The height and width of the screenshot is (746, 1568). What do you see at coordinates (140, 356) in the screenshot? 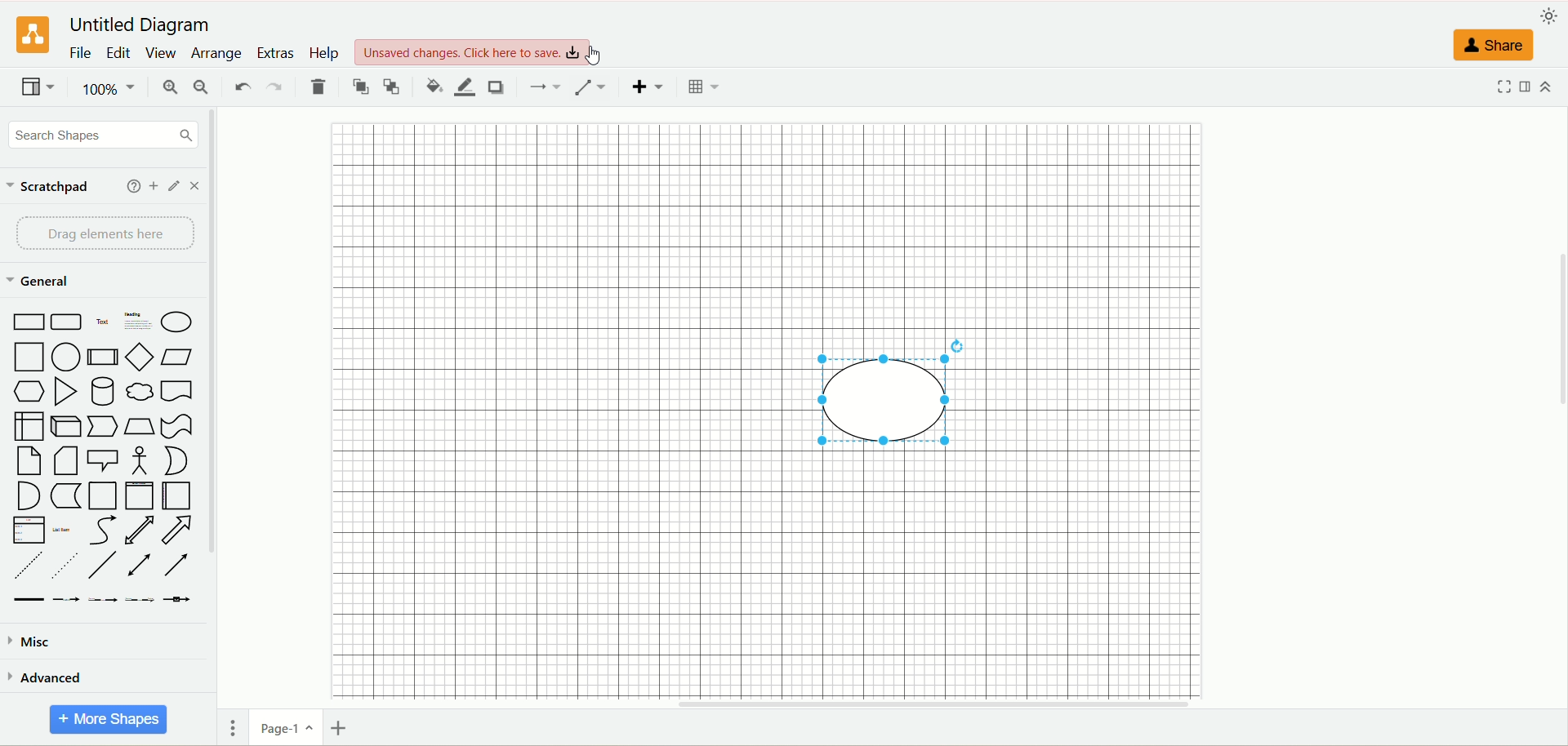
I see `diamond` at bounding box center [140, 356].